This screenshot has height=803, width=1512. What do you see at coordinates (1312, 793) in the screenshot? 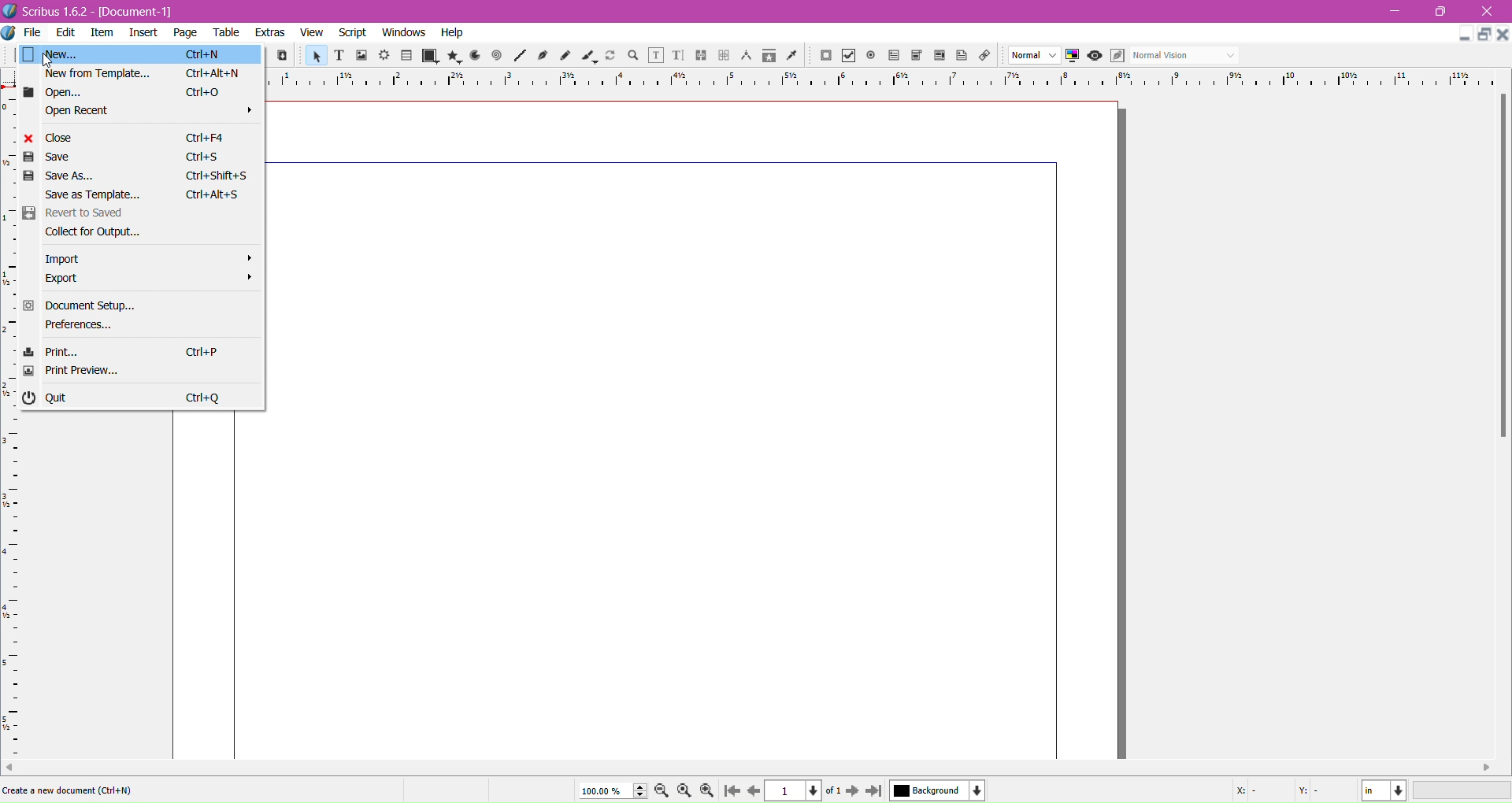
I see `Y` at bounding box center [1312, 793].